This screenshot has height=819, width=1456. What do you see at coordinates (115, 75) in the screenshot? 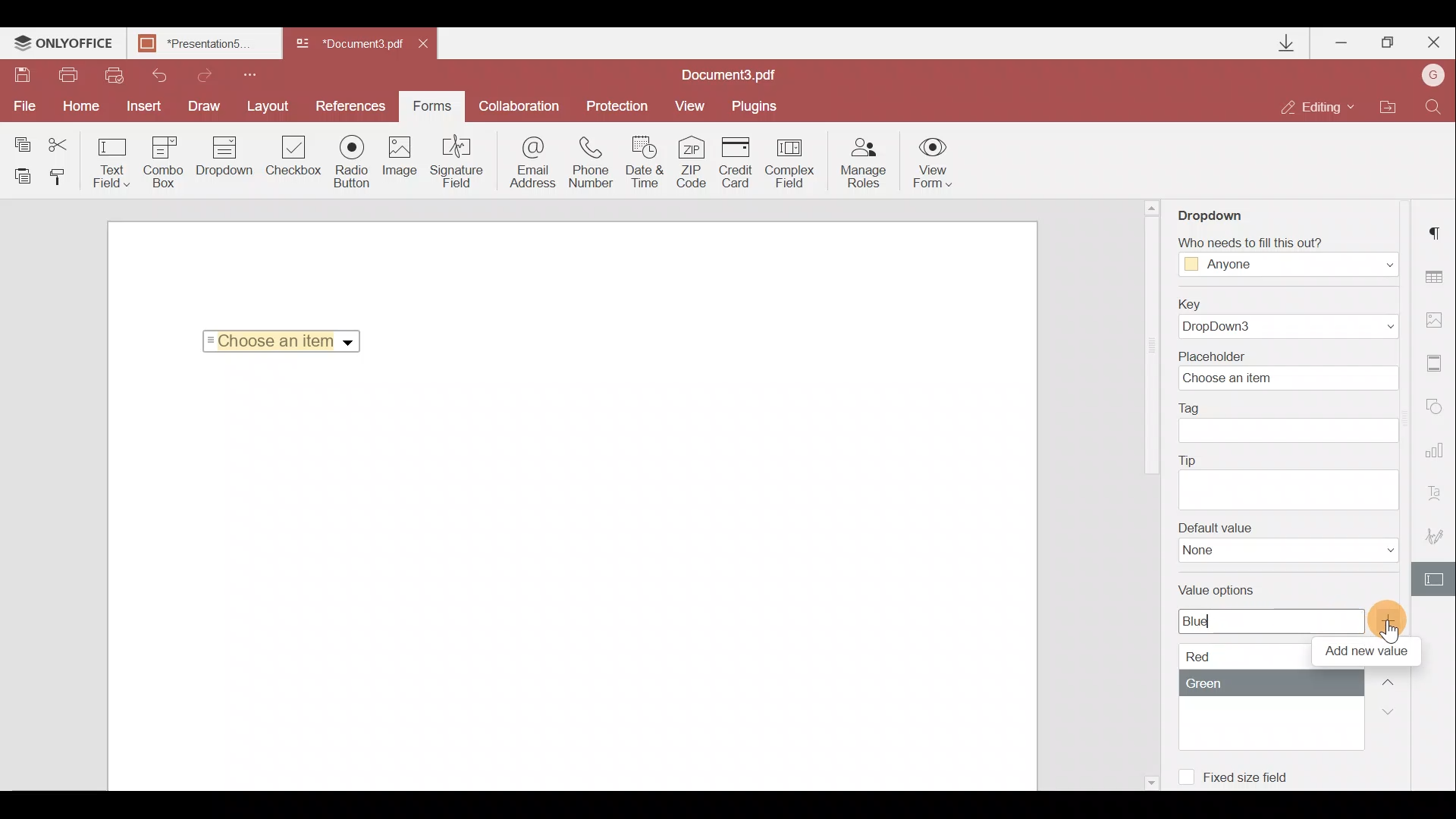
I see `Quick print` at bounding box center [115, 75].